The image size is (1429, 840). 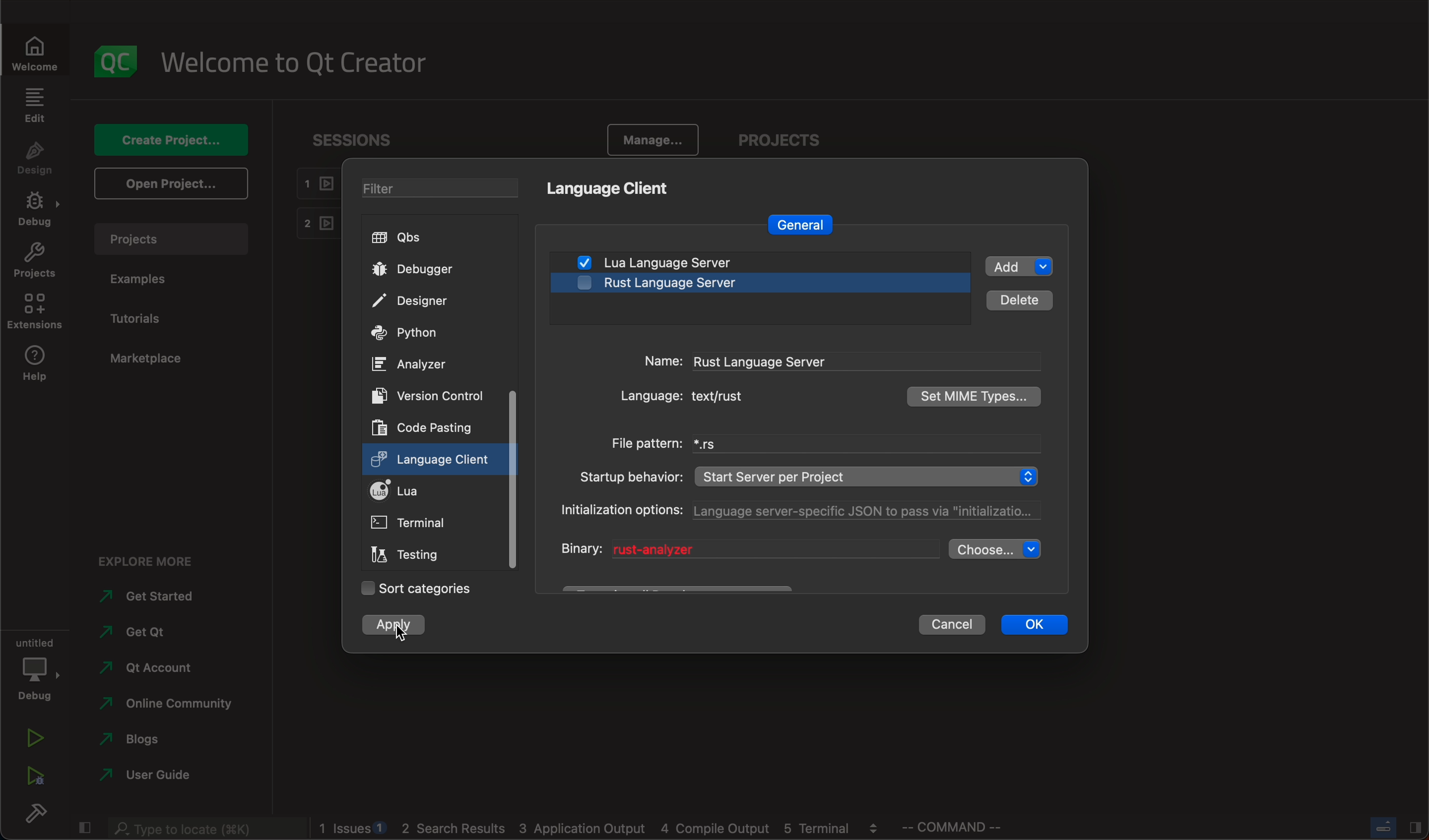 What do you see at coordinates (150, 634) in the screenshot?
I see `get qt` at bounding box center [150, 634].